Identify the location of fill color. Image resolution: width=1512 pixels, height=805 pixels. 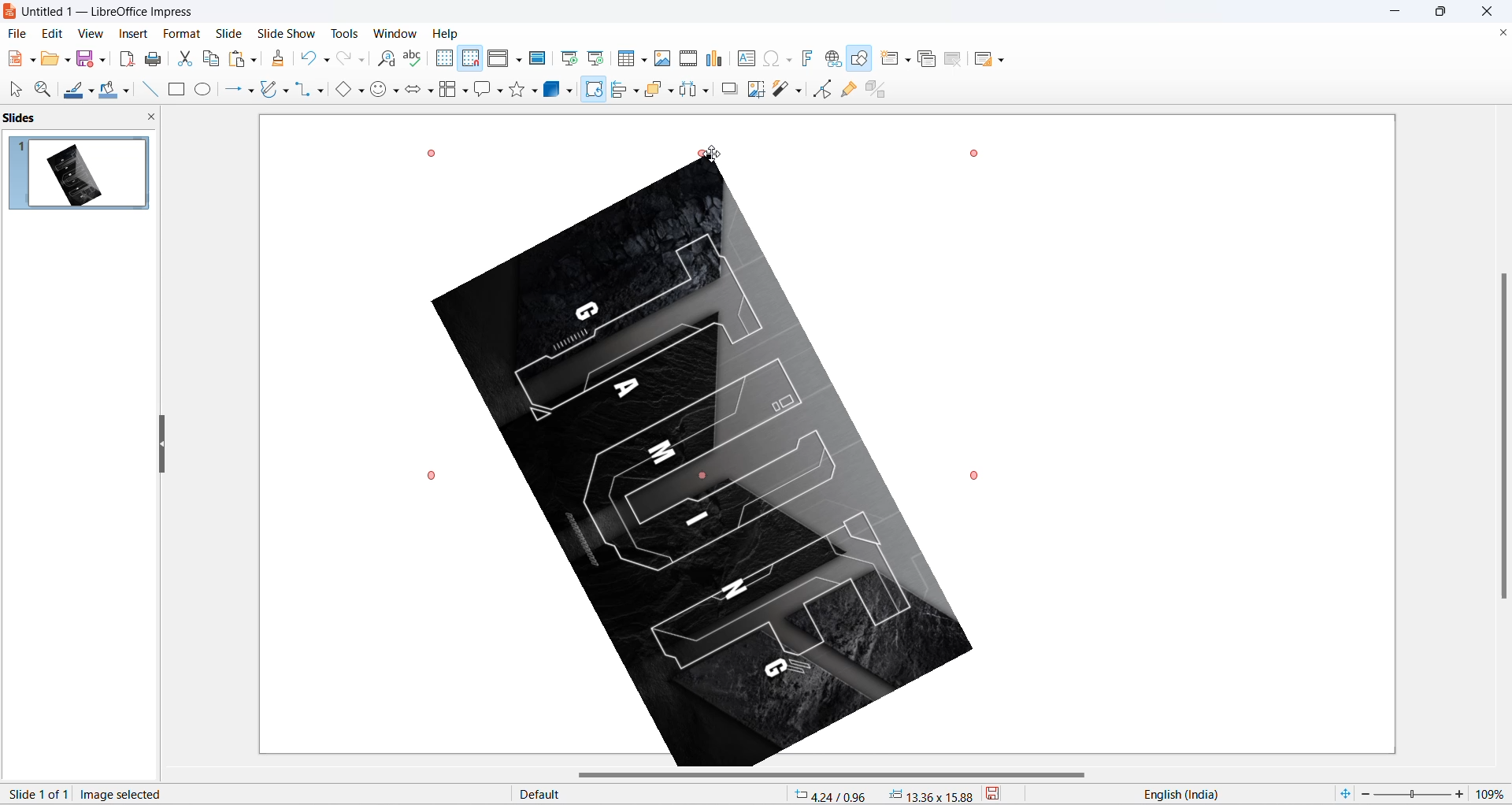
(106, 91).